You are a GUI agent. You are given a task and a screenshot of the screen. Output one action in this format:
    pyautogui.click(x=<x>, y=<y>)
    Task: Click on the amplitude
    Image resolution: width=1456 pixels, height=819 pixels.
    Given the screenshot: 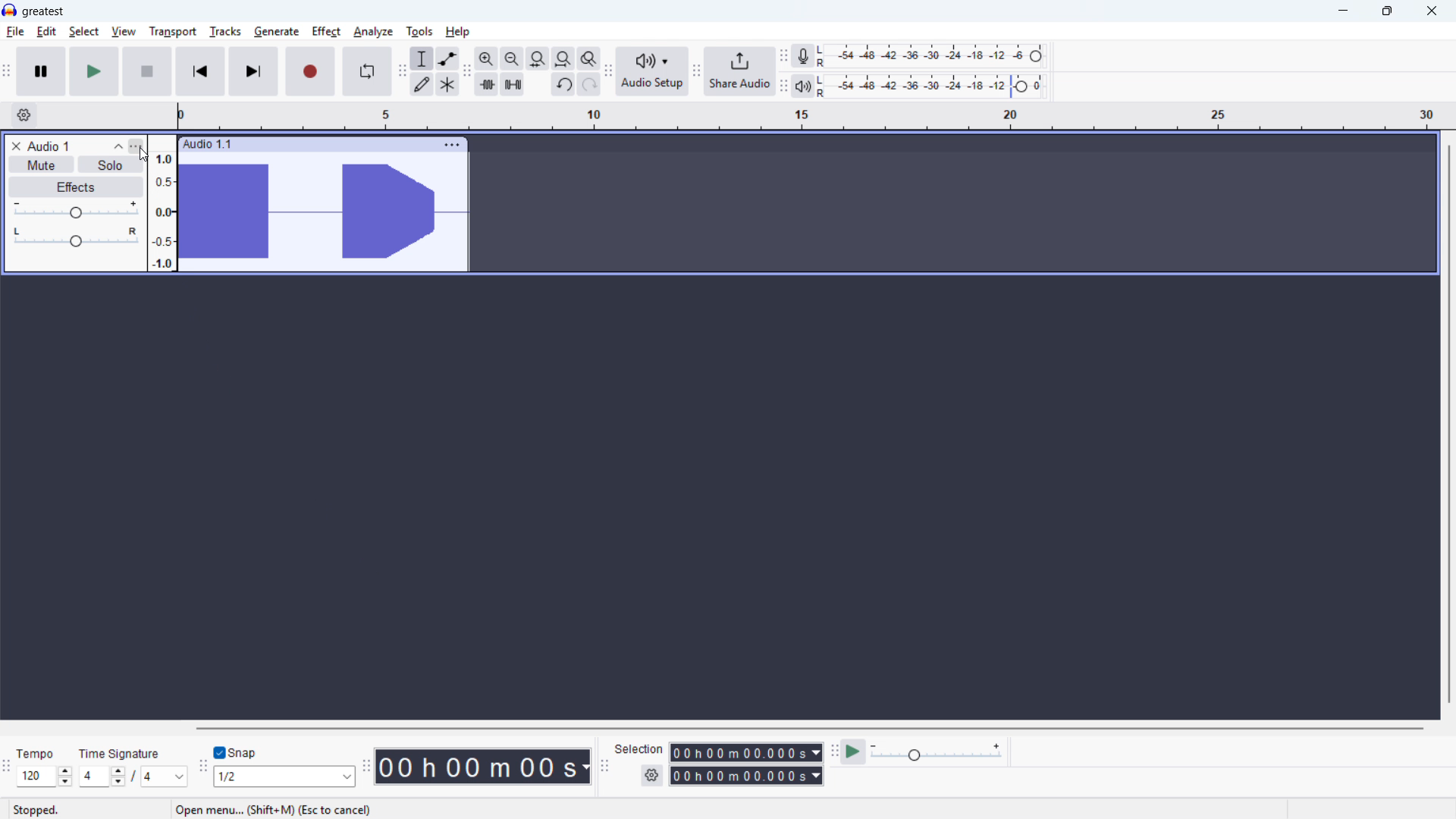 What is the action you would take?
    pyautogui.click(x=162, y=202)
    